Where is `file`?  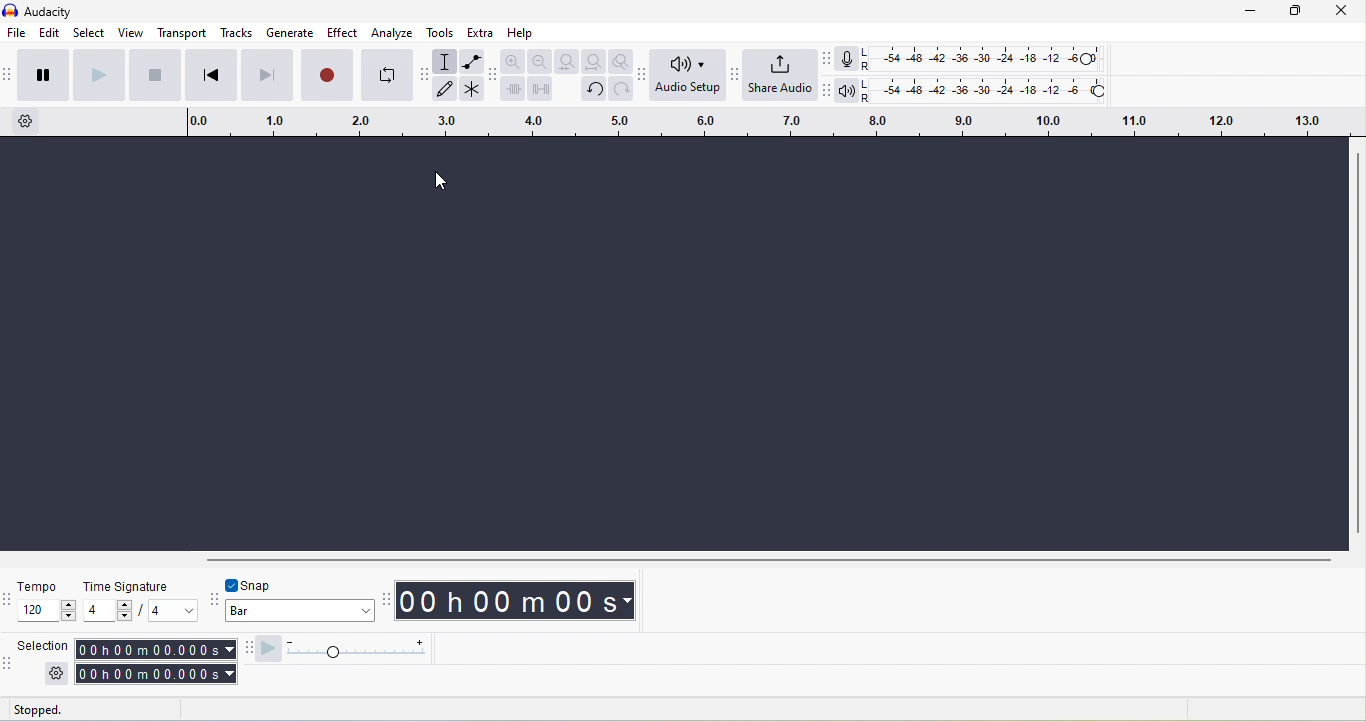 file is located at coordinates (18, 34).